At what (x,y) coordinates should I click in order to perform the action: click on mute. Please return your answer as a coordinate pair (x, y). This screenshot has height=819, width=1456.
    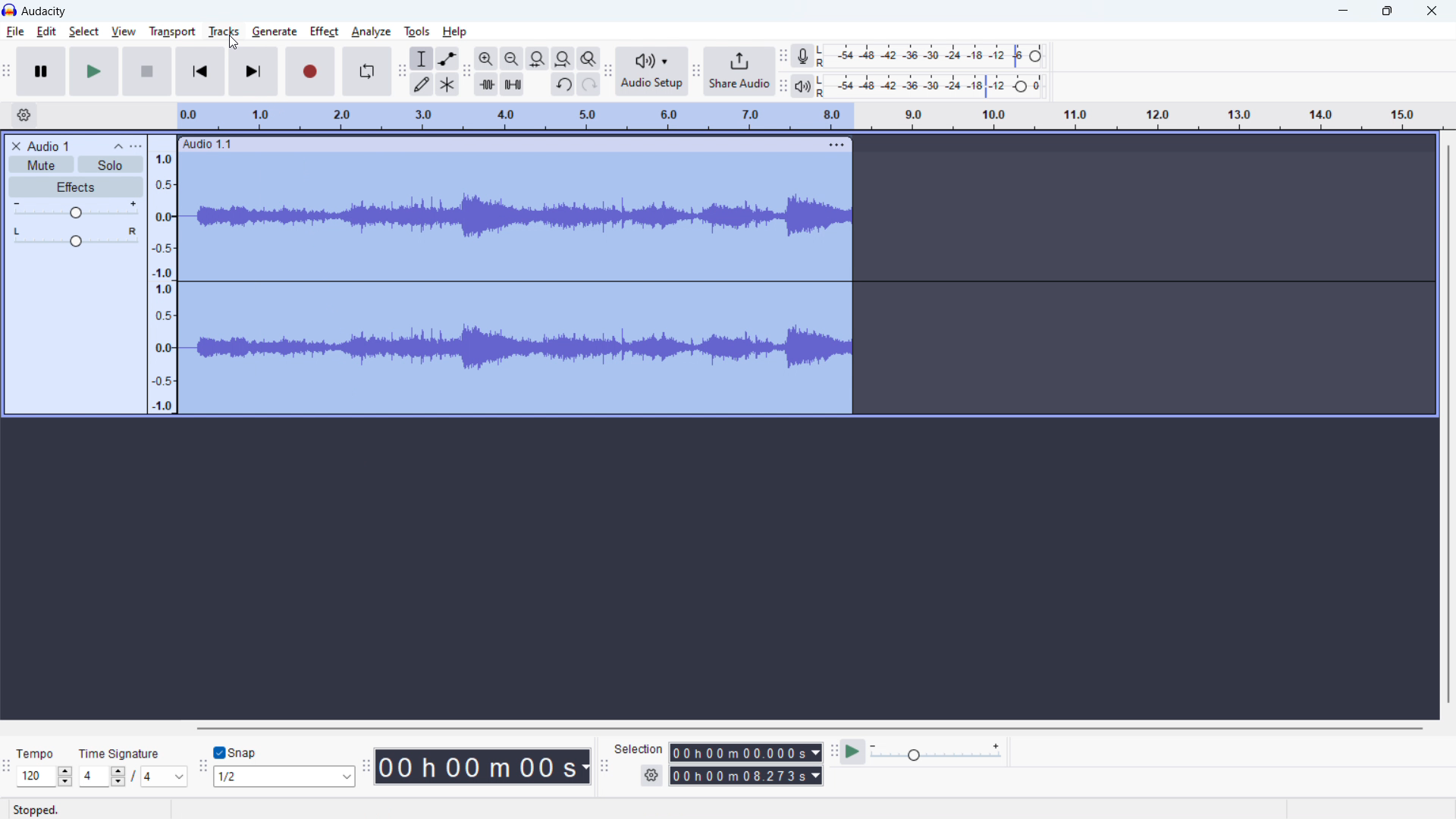
    Looking at the image, I should click on (41, 164).